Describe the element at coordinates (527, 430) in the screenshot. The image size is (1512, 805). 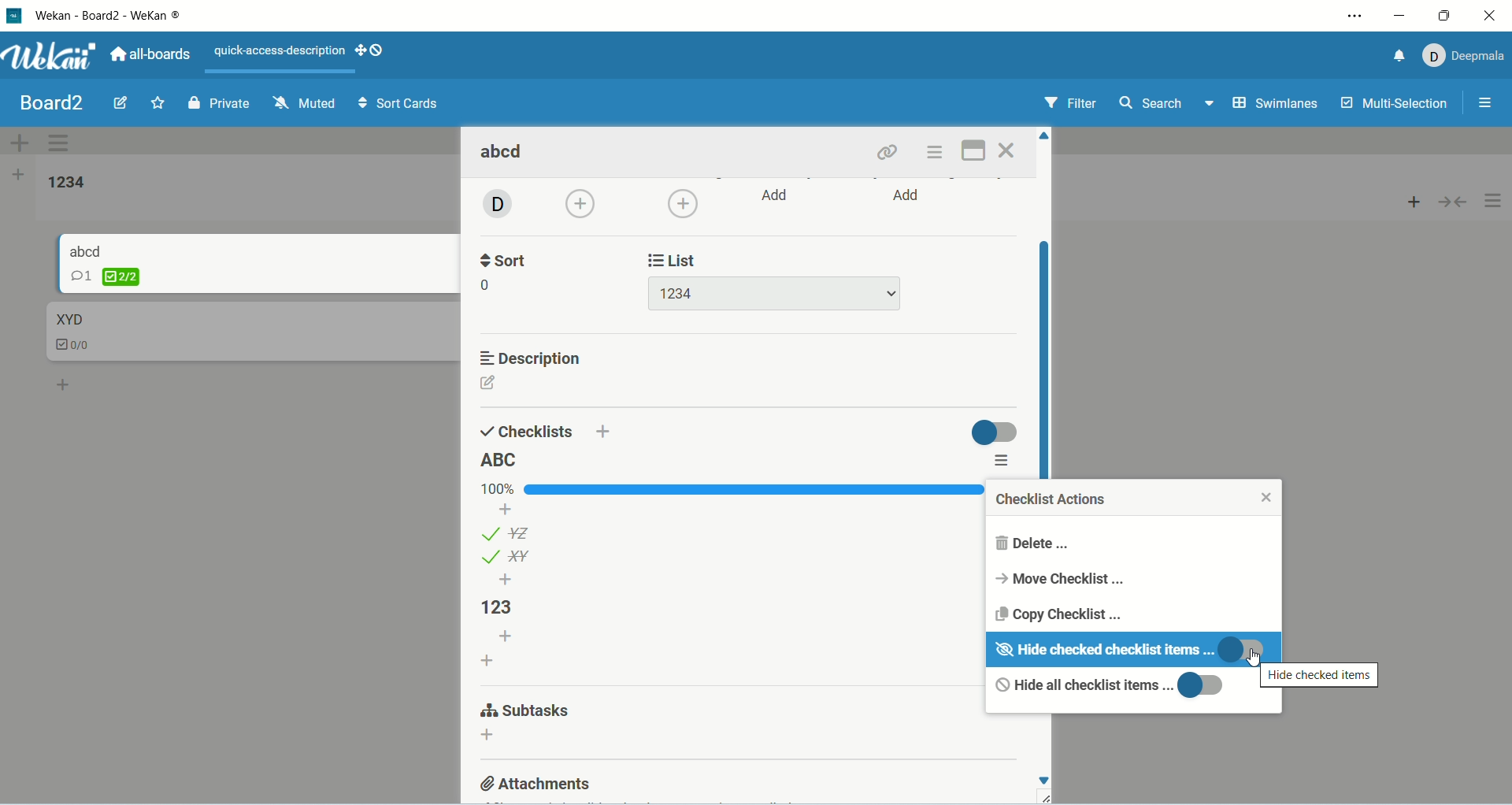
I see `checklists` at that location.